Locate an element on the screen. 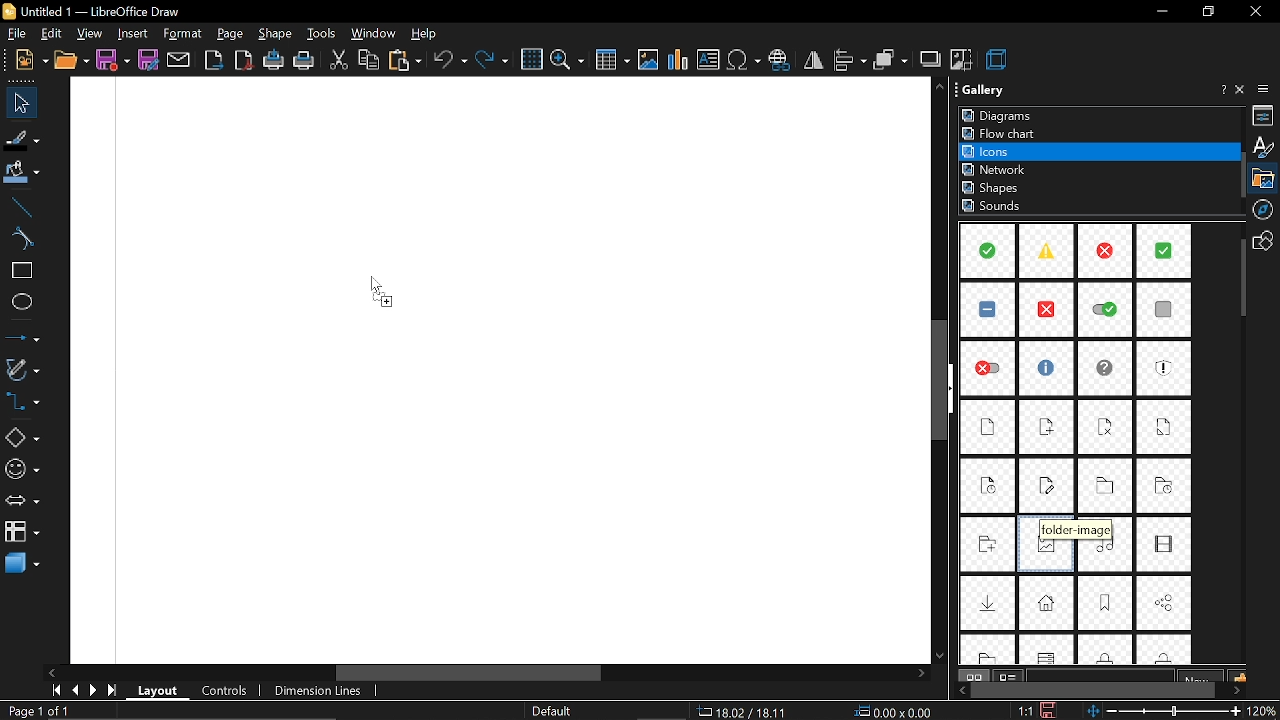 This screenshot has height=720, width=1280. fill color is located at coordinates (19, 173).